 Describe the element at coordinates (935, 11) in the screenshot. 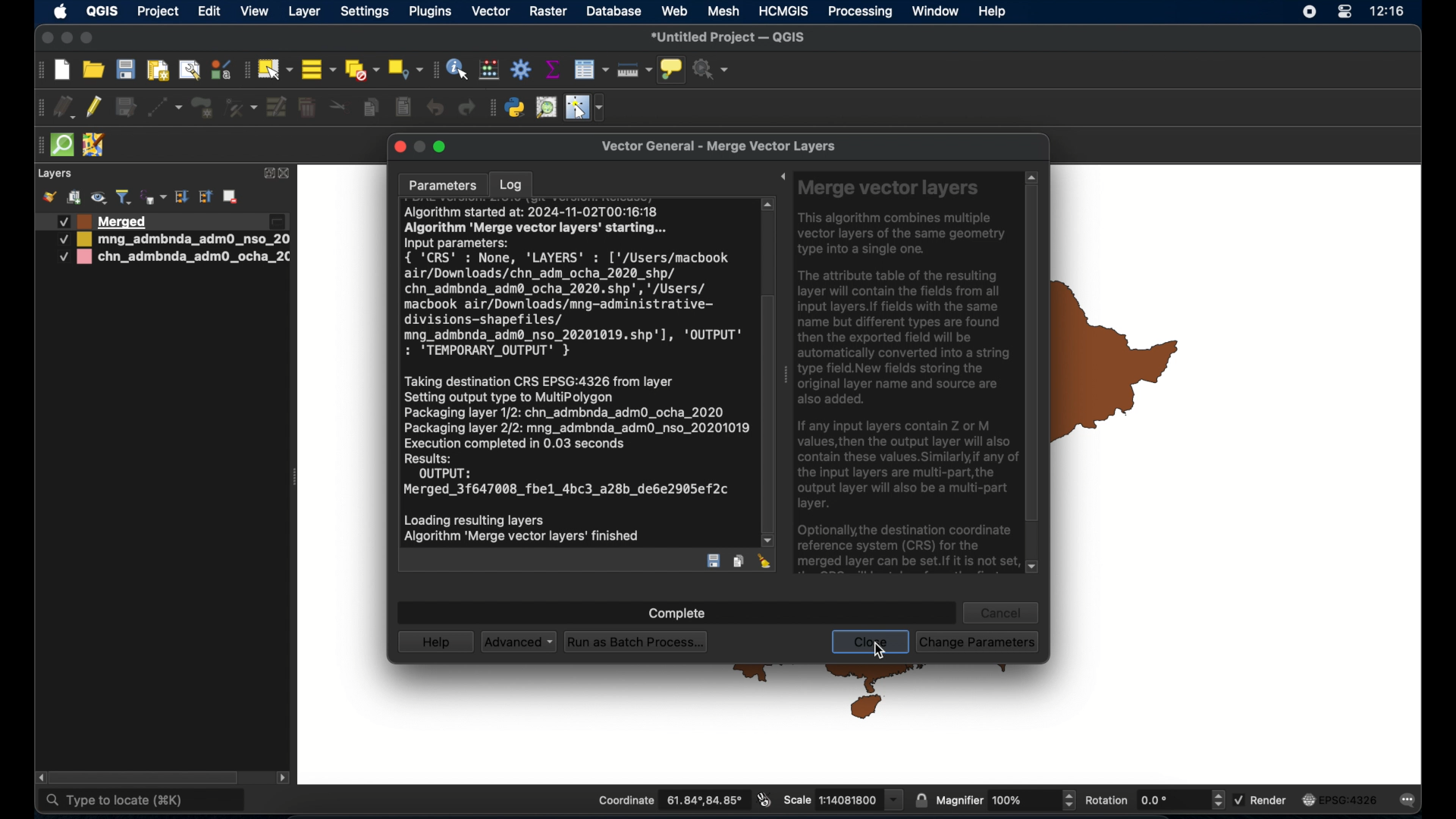

I see `window` at that location.